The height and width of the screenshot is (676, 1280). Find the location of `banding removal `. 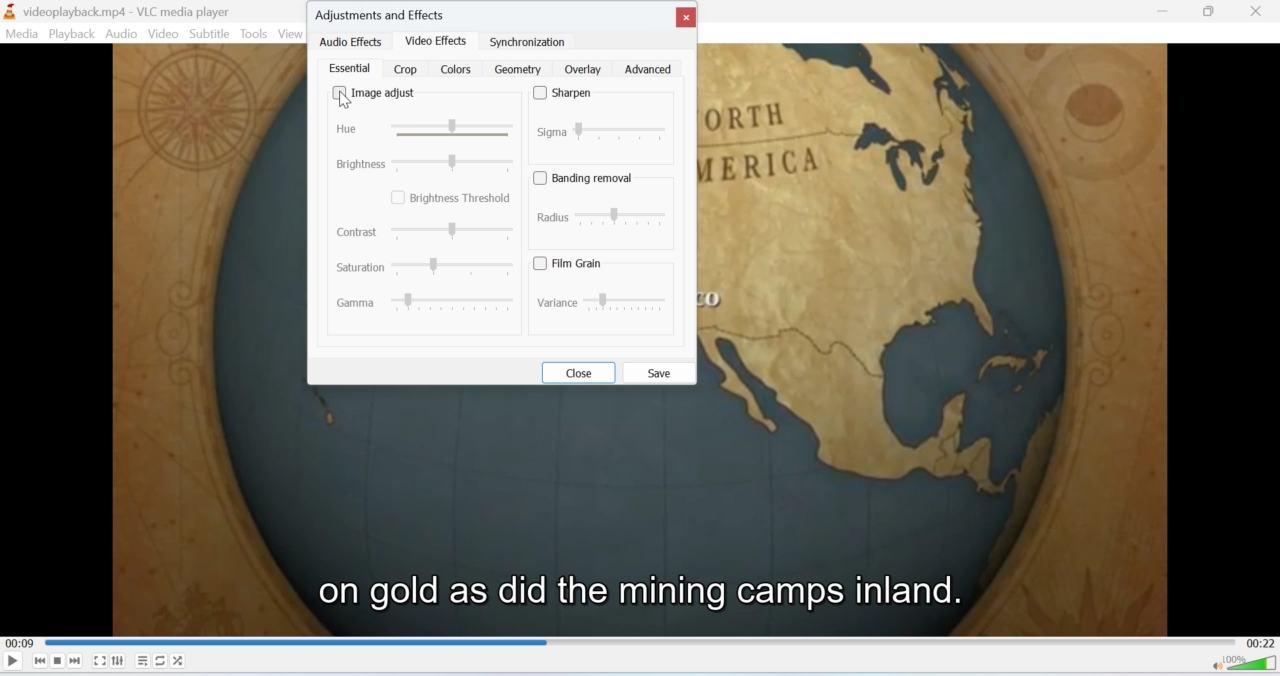

banding removal  is located at coordinates (587, 178).